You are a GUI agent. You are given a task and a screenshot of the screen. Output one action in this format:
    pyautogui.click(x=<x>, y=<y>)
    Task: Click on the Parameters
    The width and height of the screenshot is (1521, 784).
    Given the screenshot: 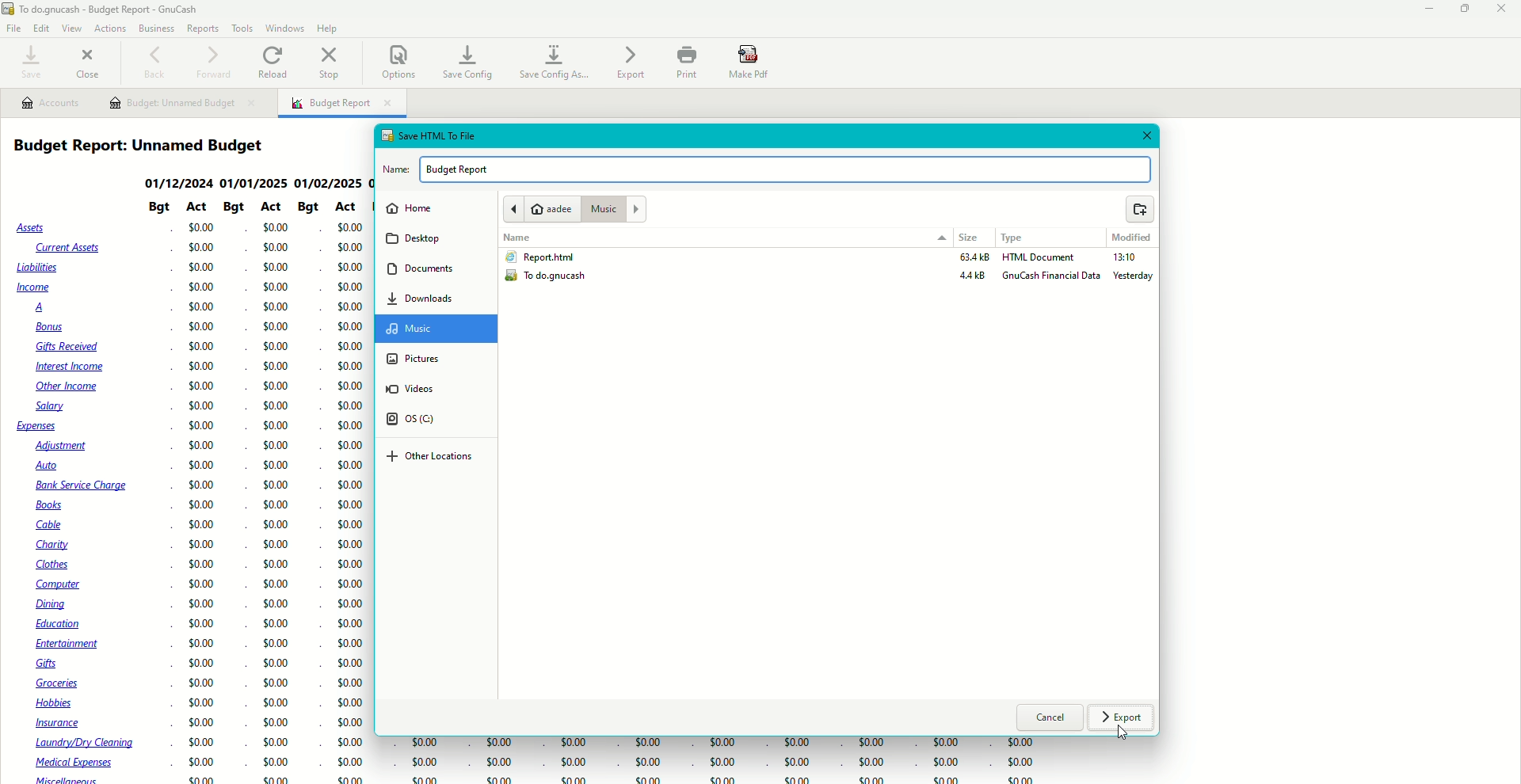 What is the action you would take?
    pyautogui.click(x=250, y=208)
    